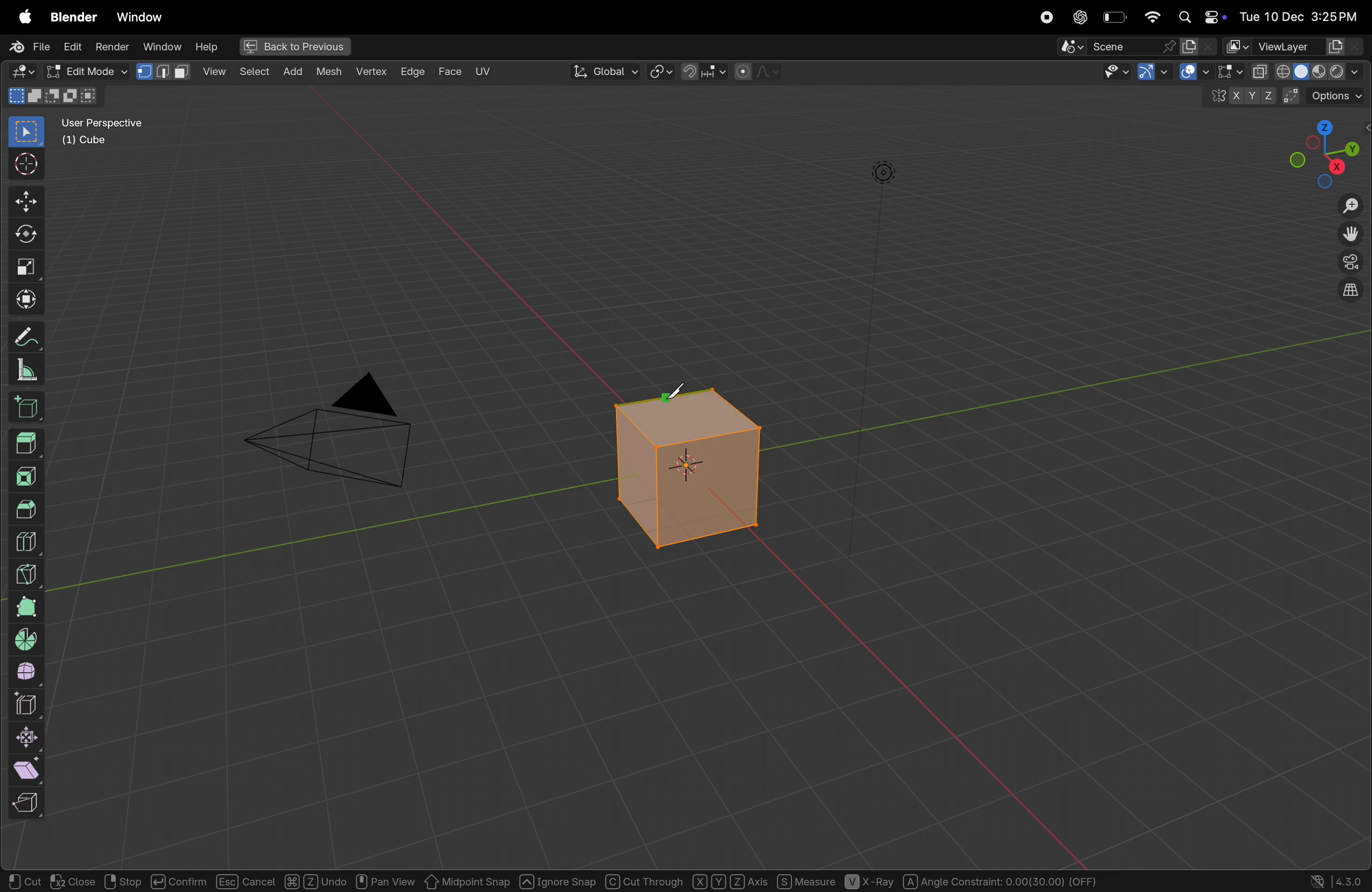 The height and width of the screenshot is (892, 1372). Describe the element at coordinates (1347, 293) in the screenshot. I see `orthographic view` at that location.